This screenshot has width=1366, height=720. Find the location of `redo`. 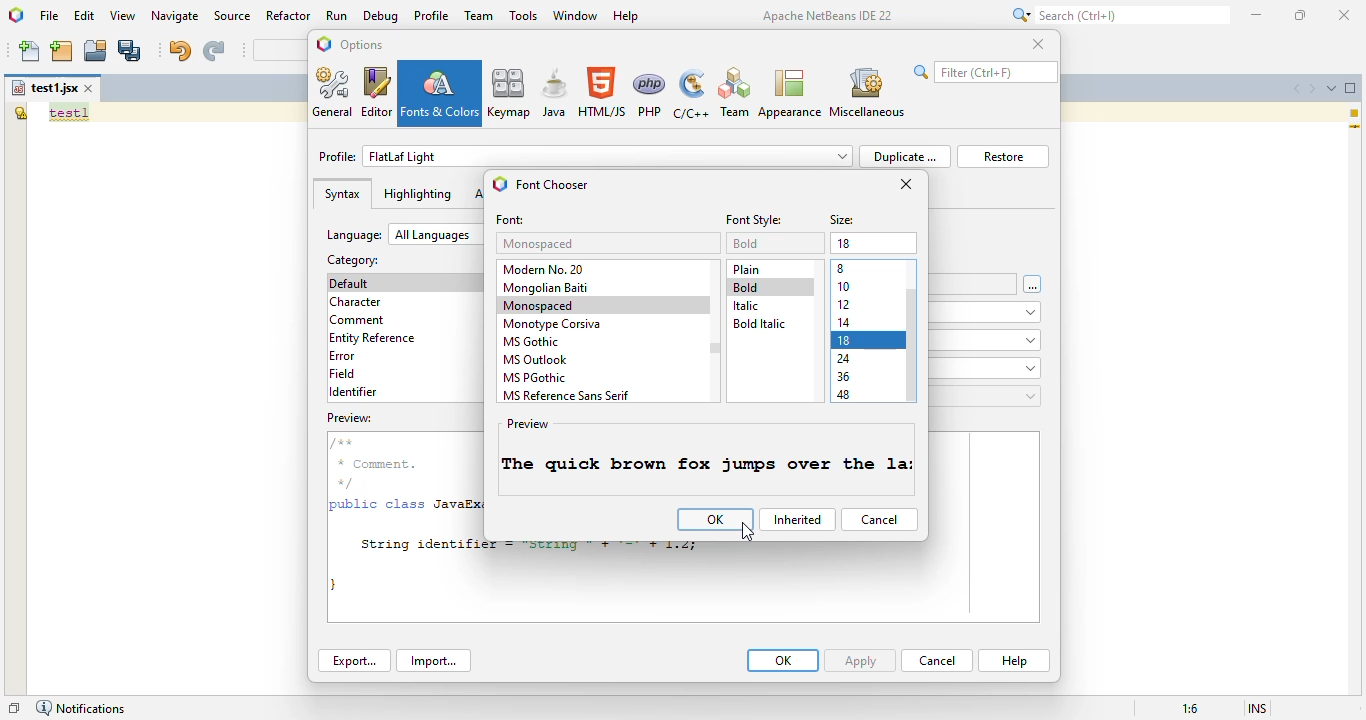

redo is located at coordinates (213, 51).